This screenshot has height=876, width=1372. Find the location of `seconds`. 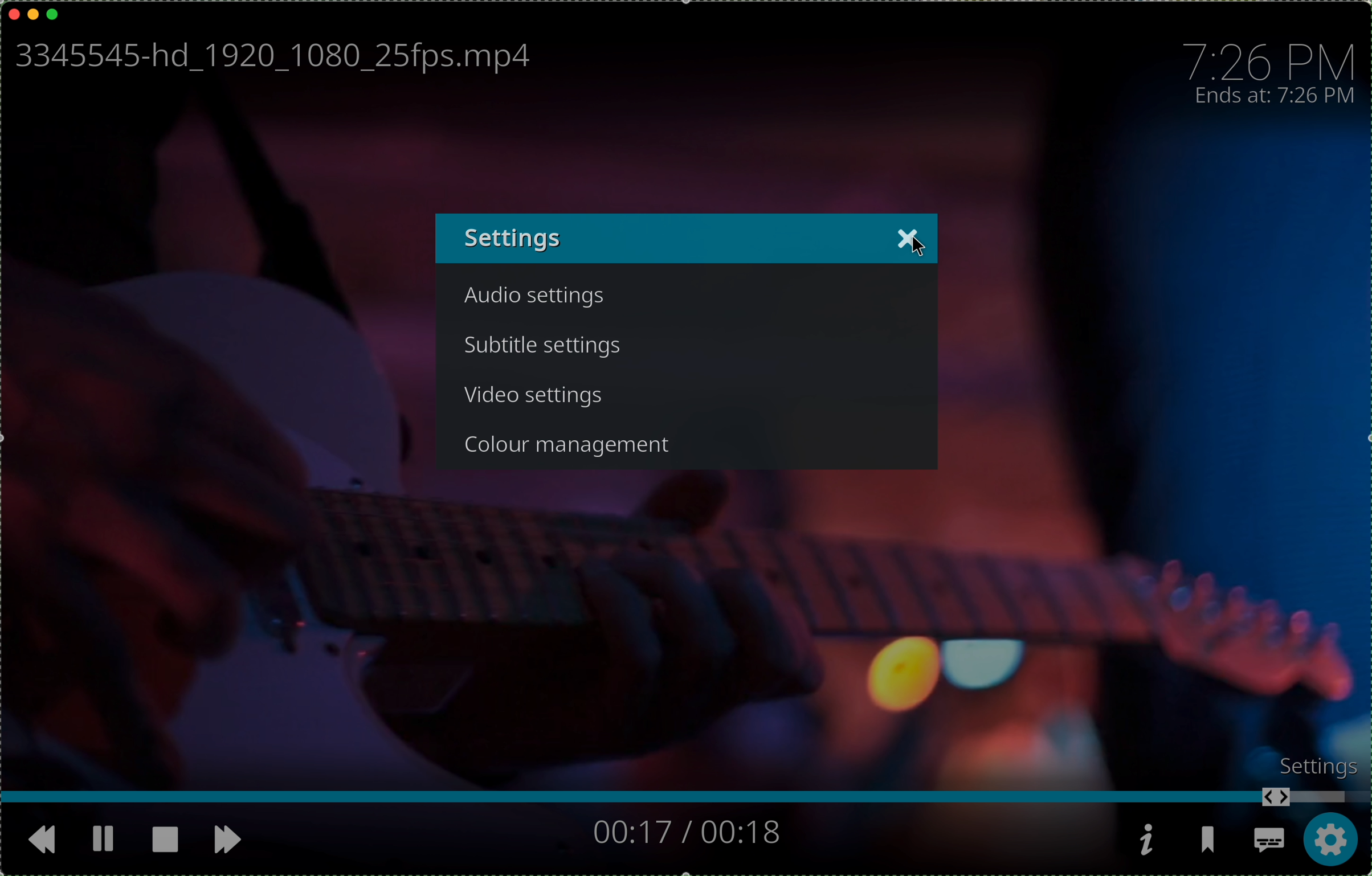

seconds is located at coordinates (685, 832).